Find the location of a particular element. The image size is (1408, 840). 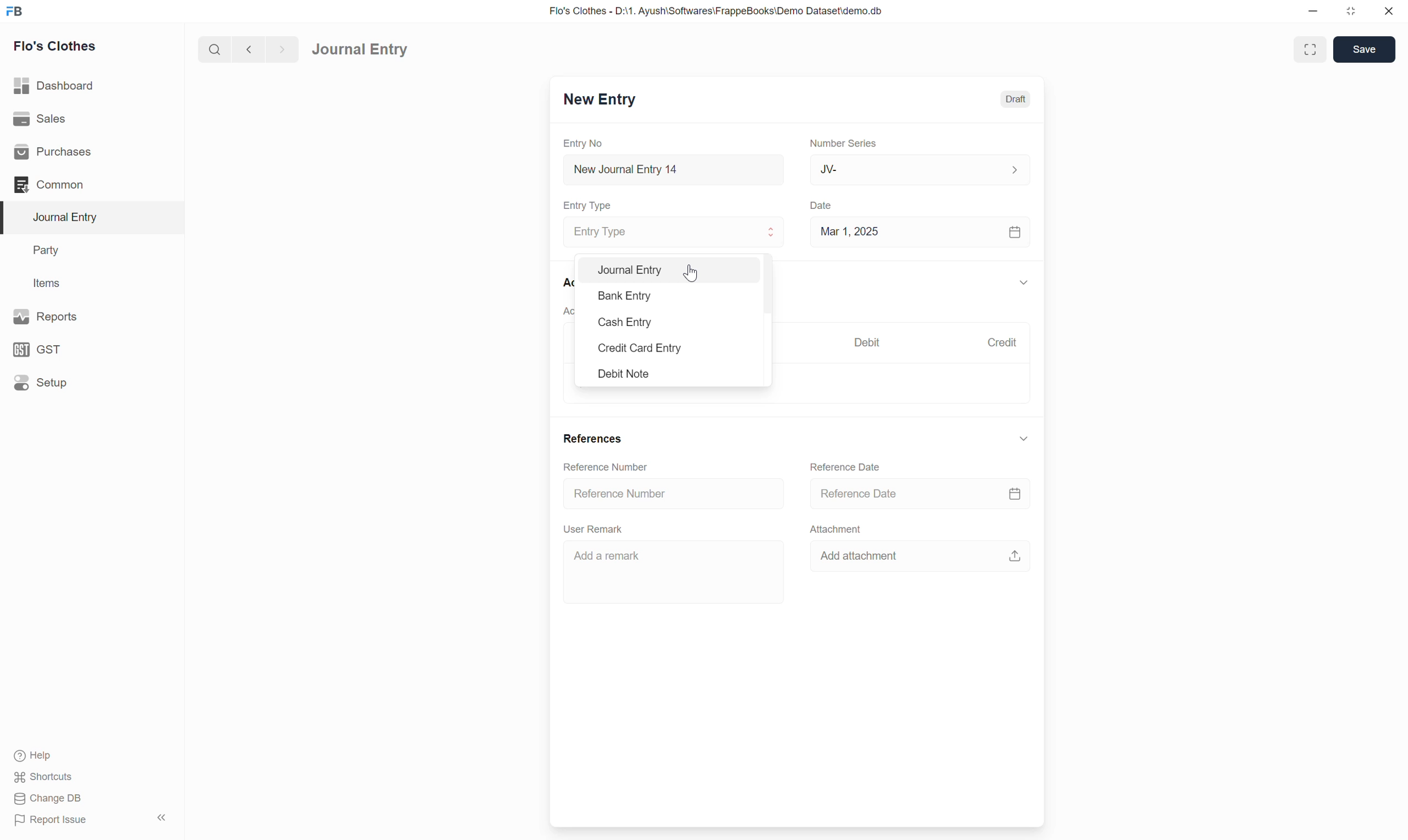

Date is located at coordinates (824, 206).